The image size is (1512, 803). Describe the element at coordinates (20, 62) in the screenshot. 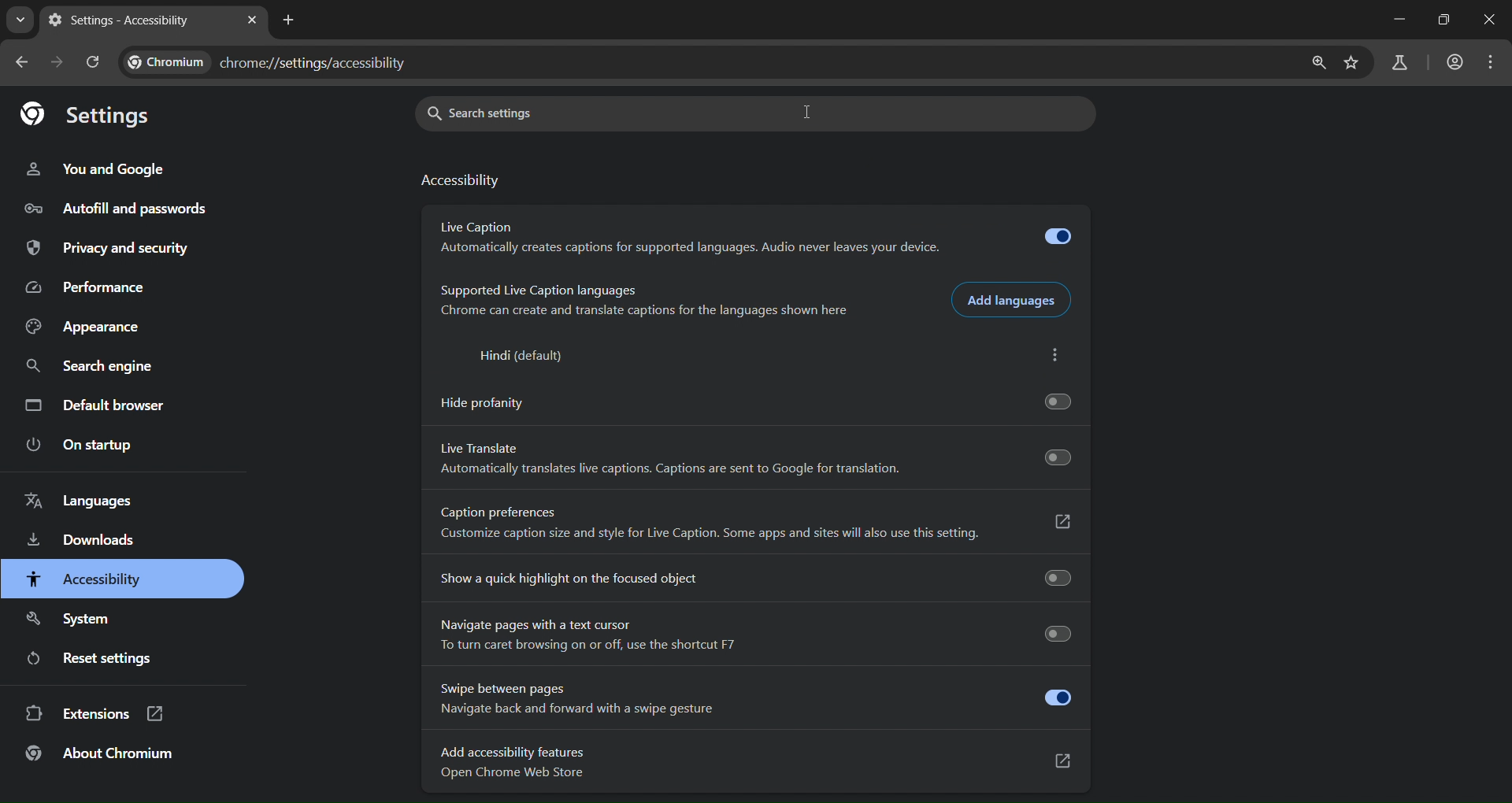

I see `go back one page` at that location.